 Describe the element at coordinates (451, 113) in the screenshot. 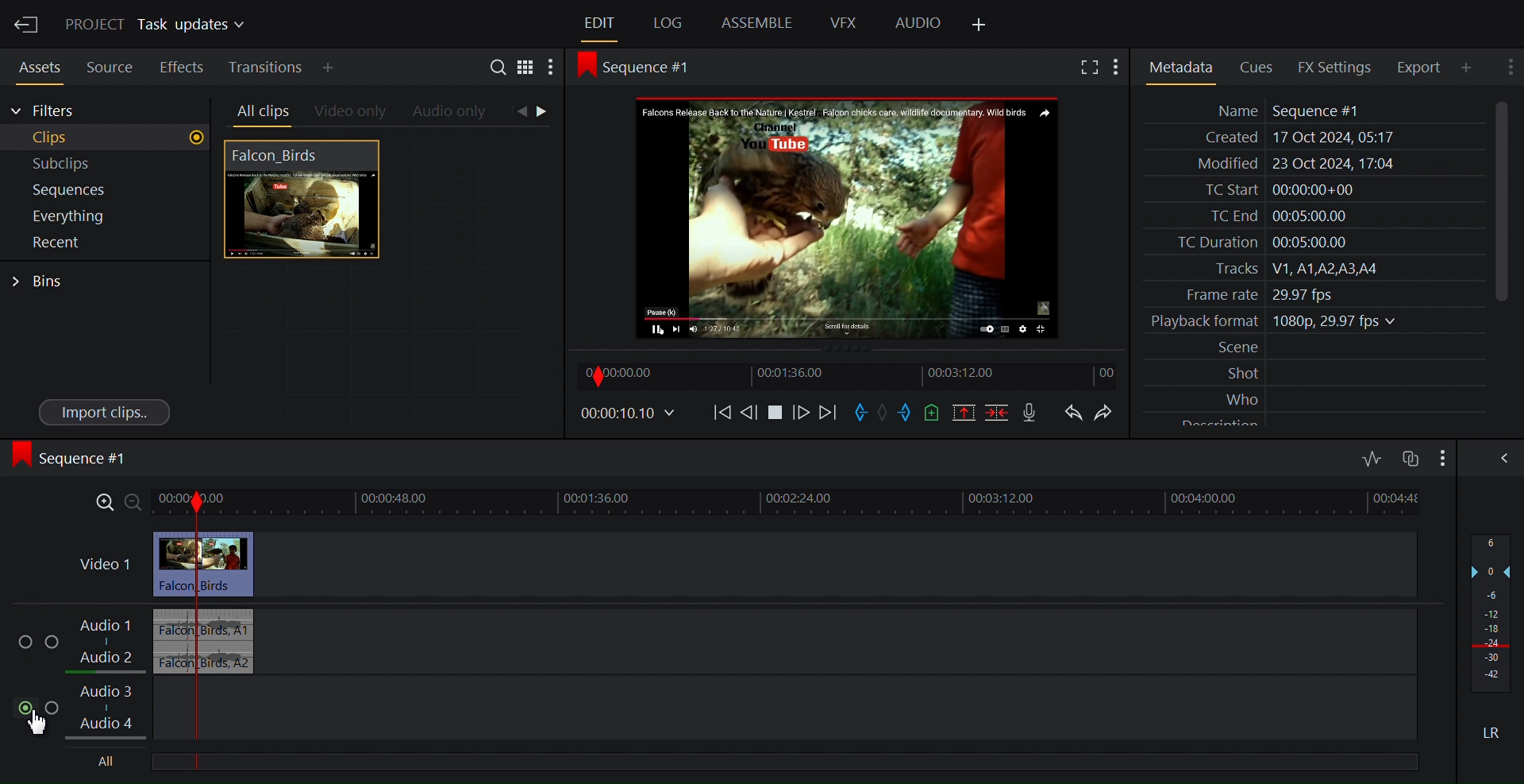

I see `Audio only` at that location.